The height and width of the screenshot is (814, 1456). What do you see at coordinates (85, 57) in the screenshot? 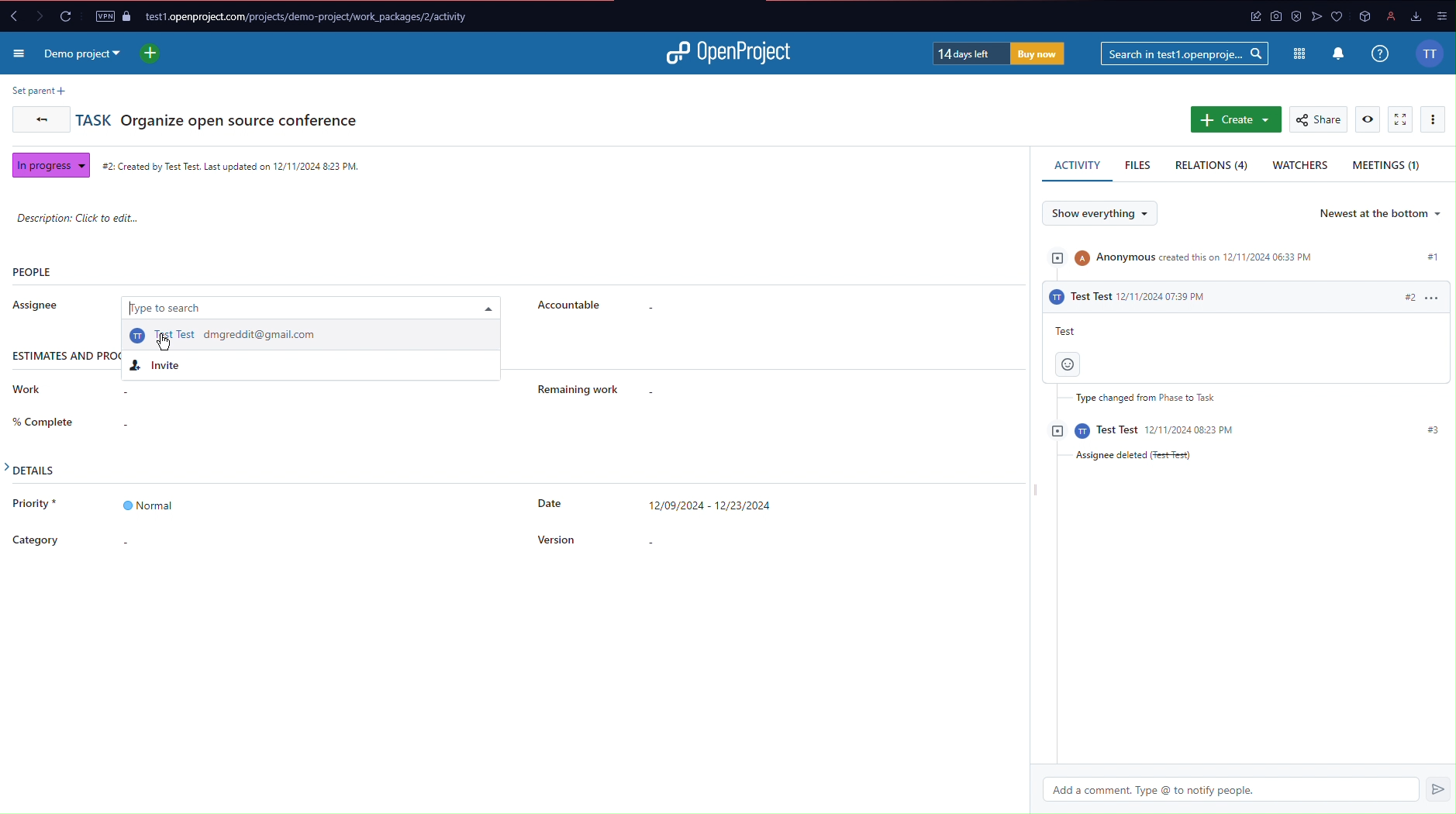
I see `Demo Project` at bounding box center [85, 57].